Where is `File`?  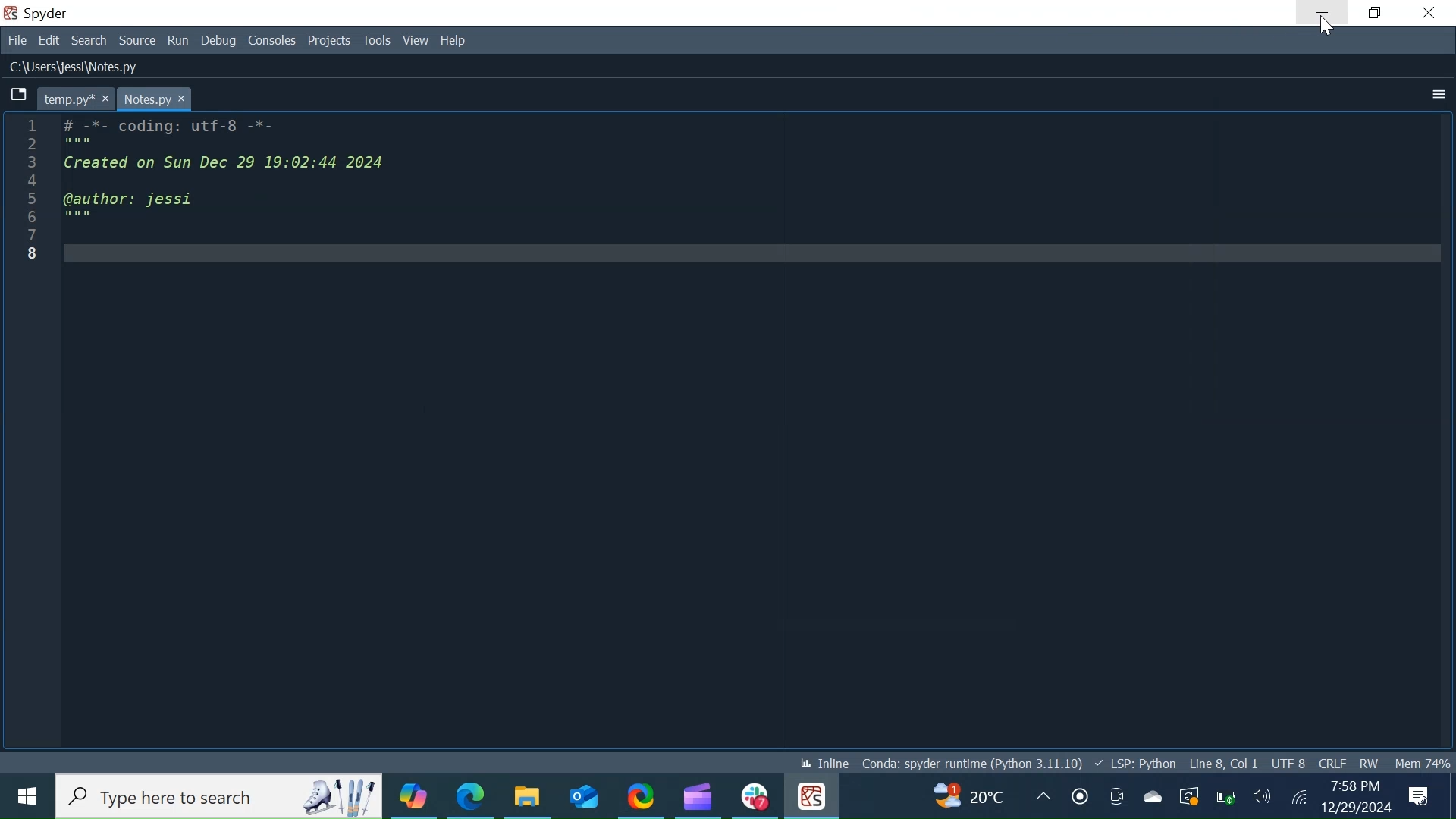 File is located at coordinates (19, 41).